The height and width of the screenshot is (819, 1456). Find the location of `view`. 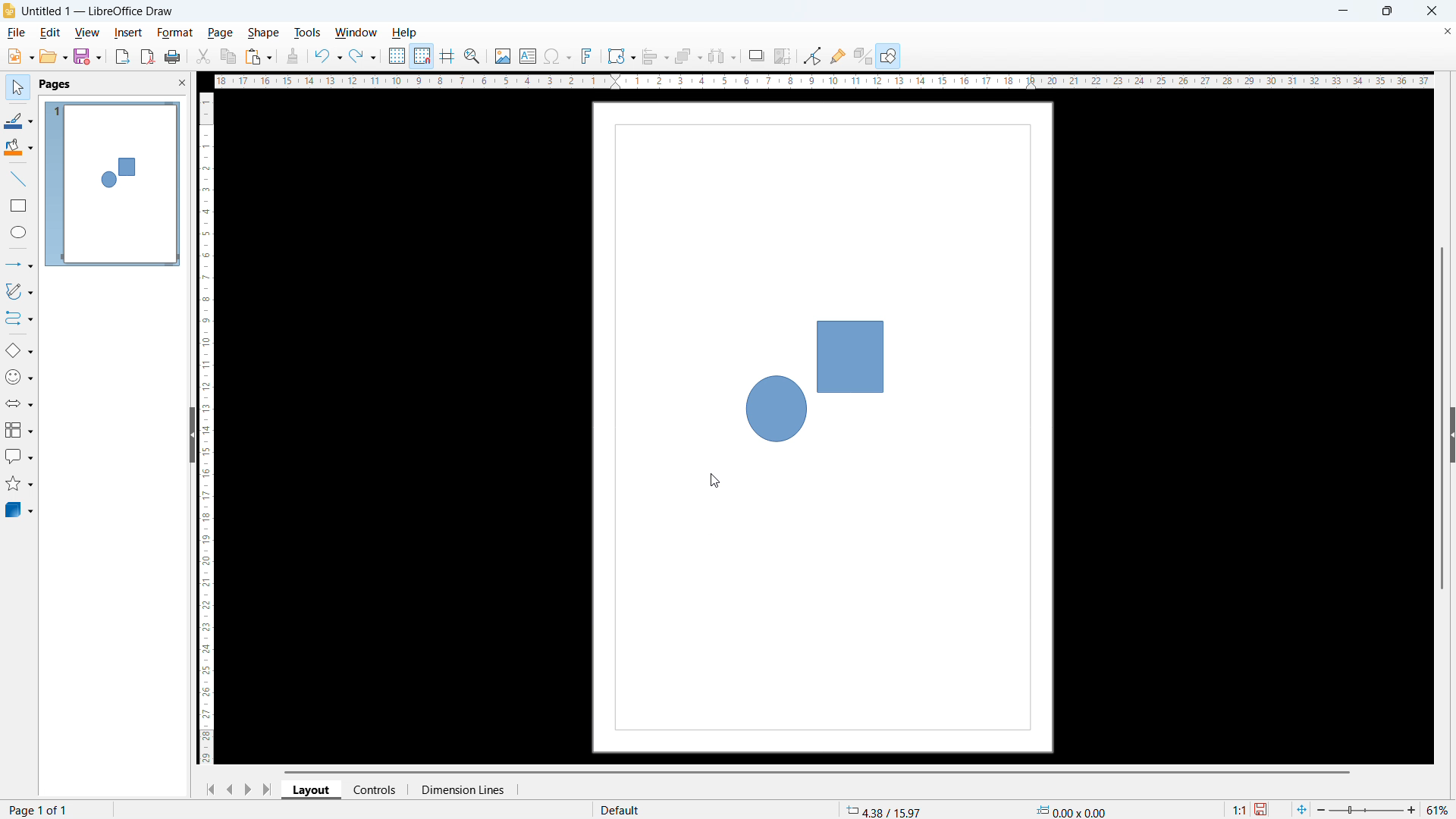

view is located at coordinates (87, 33).